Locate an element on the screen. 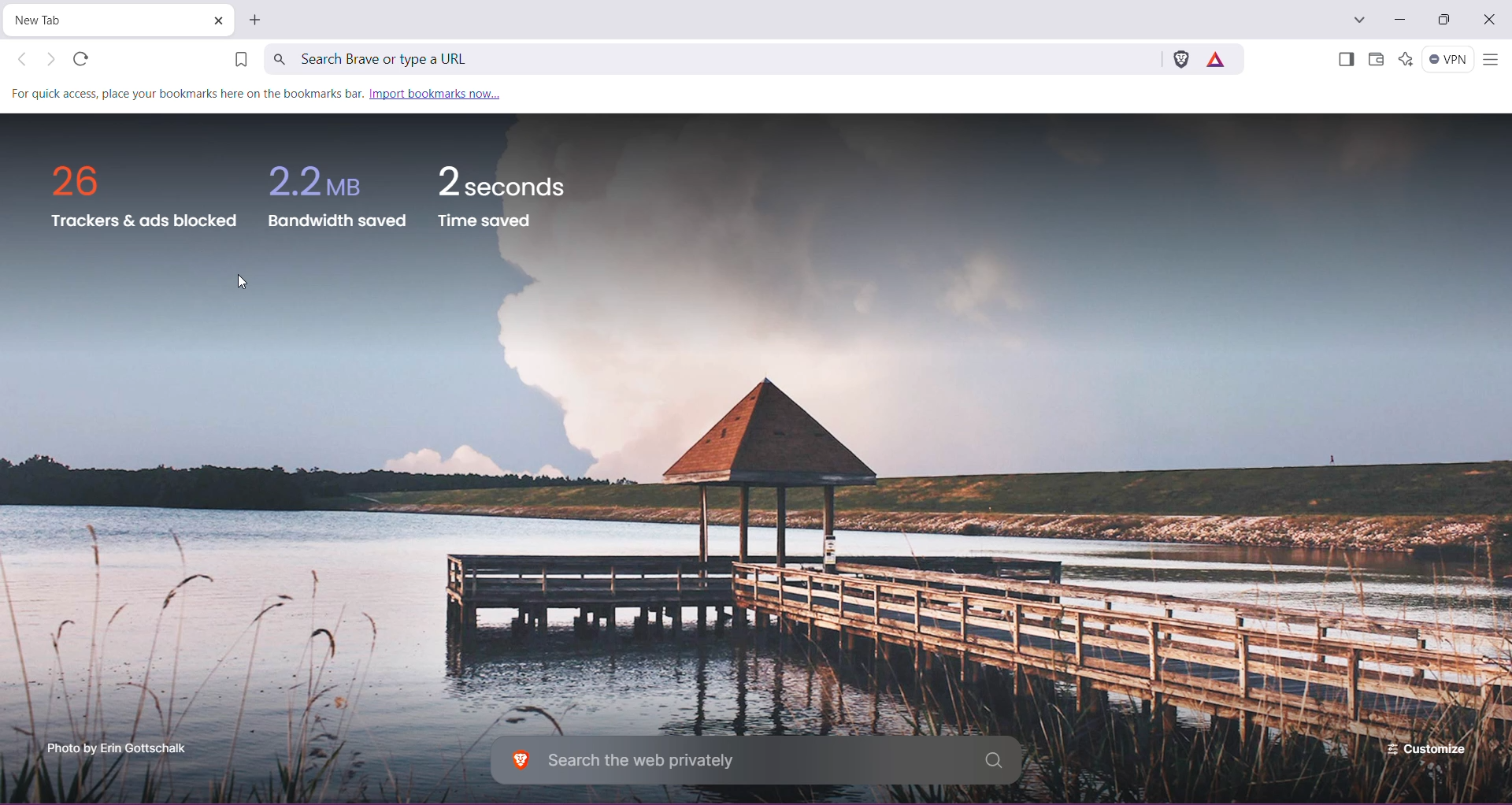  Brave Firewall + VPN is located at coordinates (1450, 59).